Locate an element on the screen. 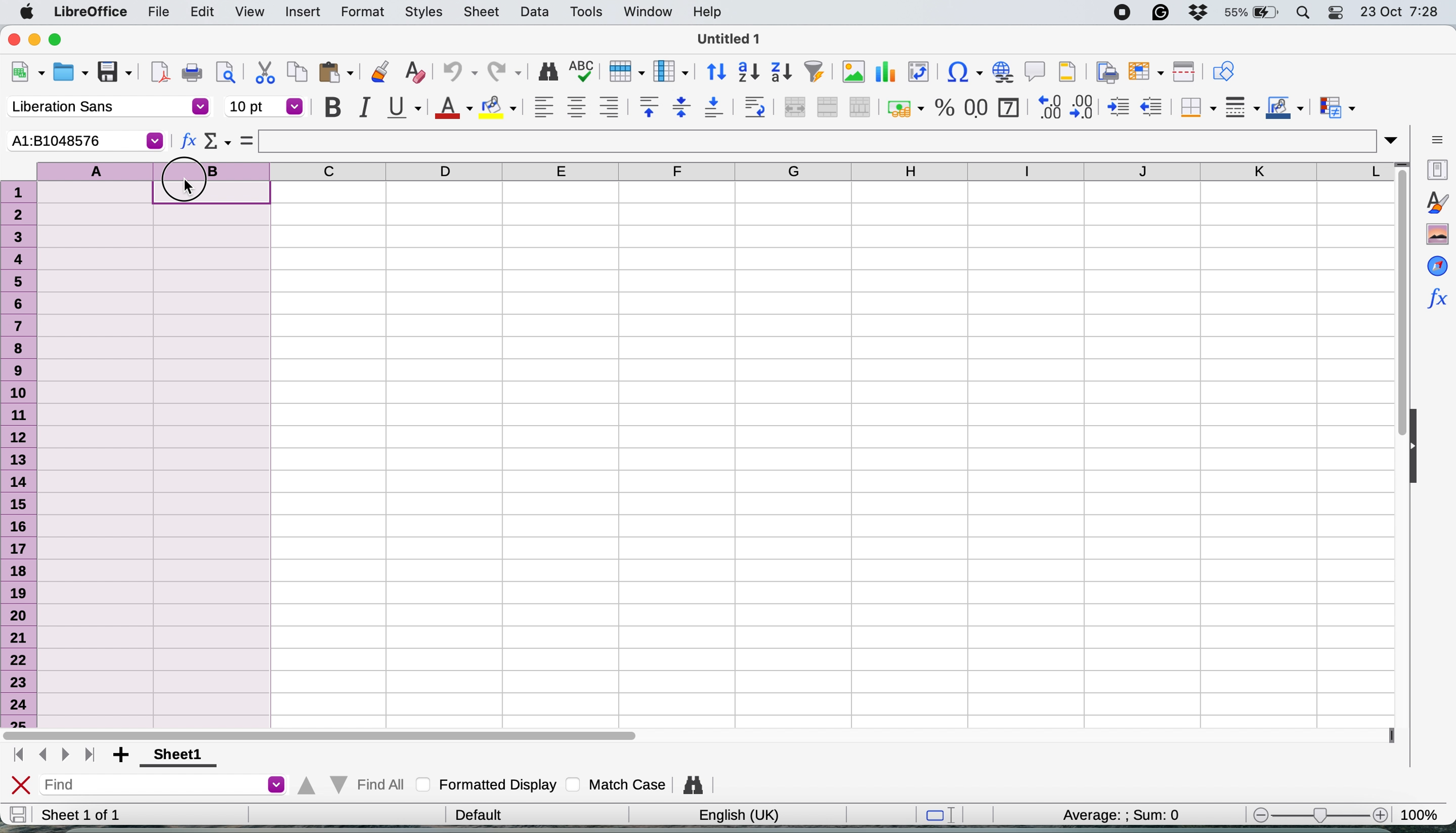 This screenshot has width=1456, height=833. edit is located at coordinates (202, 13).